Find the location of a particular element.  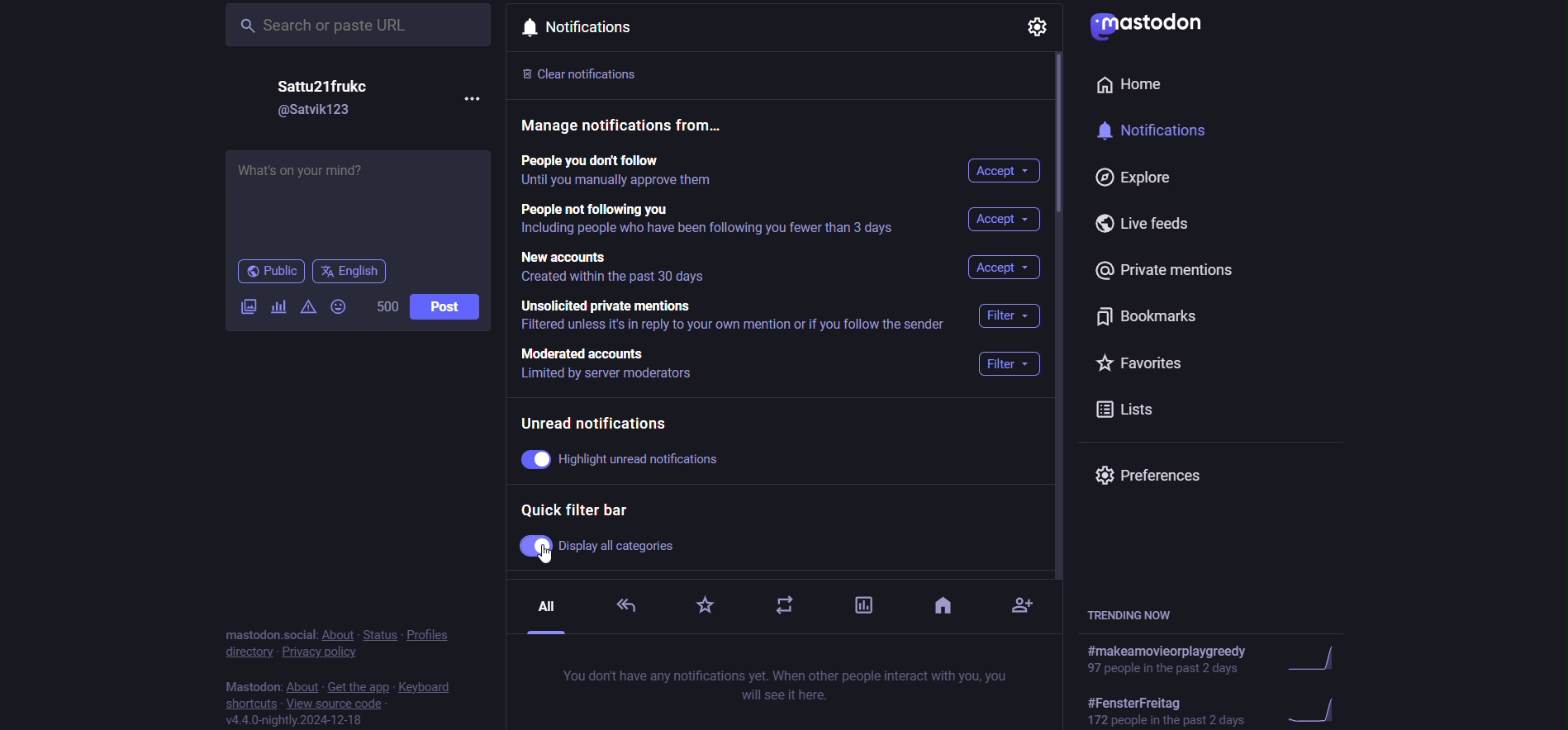

Accept is located at coordinates (1006, 172).